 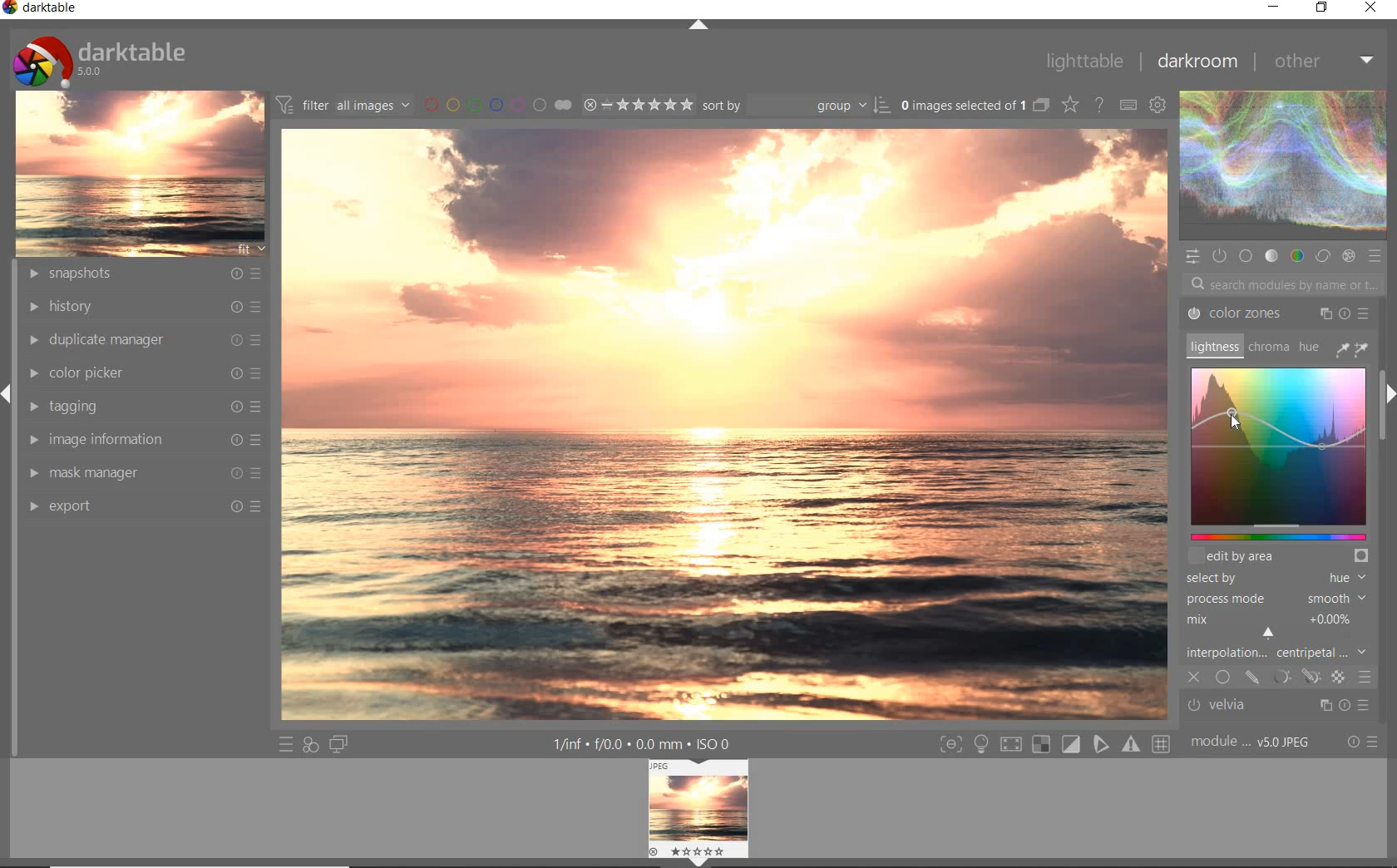 I want to click on IMAGE INFORMATION, so click(x=146, y=439).